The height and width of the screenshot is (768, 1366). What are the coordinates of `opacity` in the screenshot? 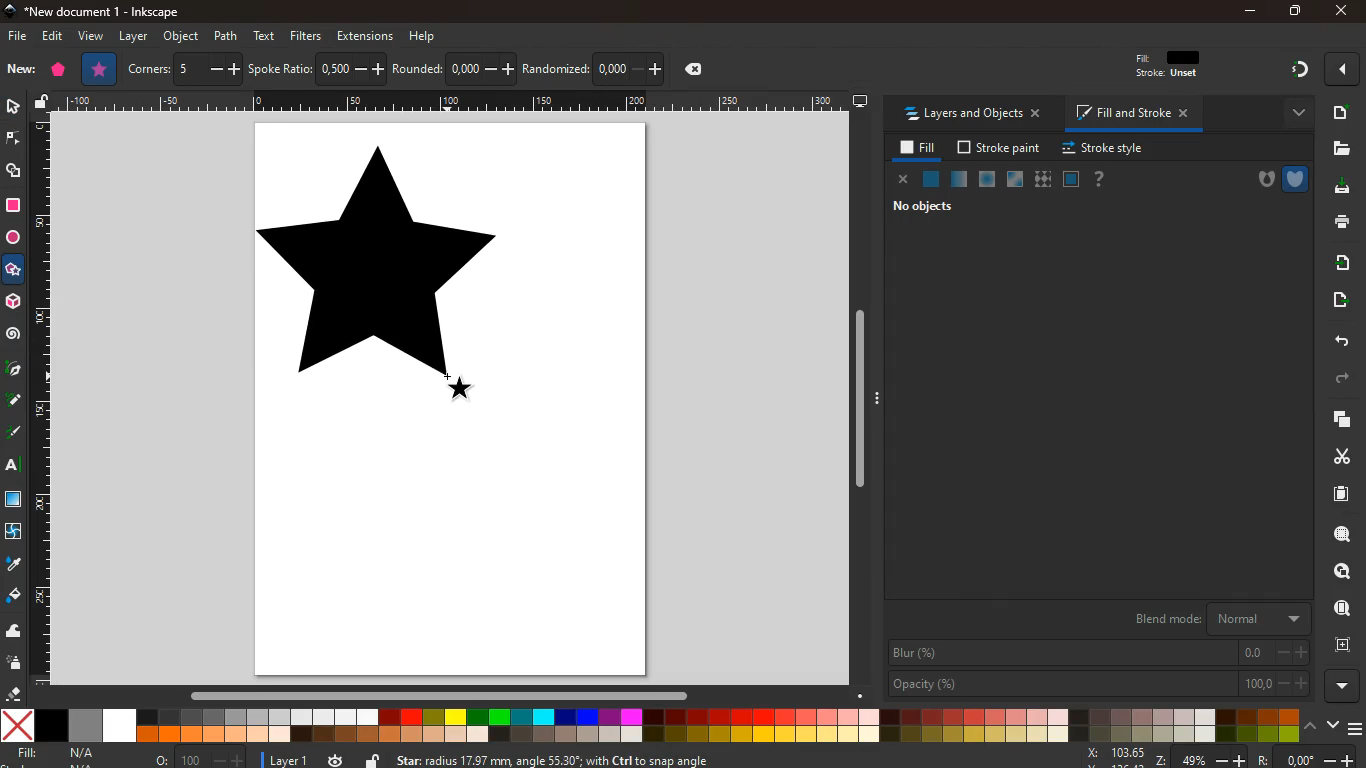 It's located at (1098, 685).